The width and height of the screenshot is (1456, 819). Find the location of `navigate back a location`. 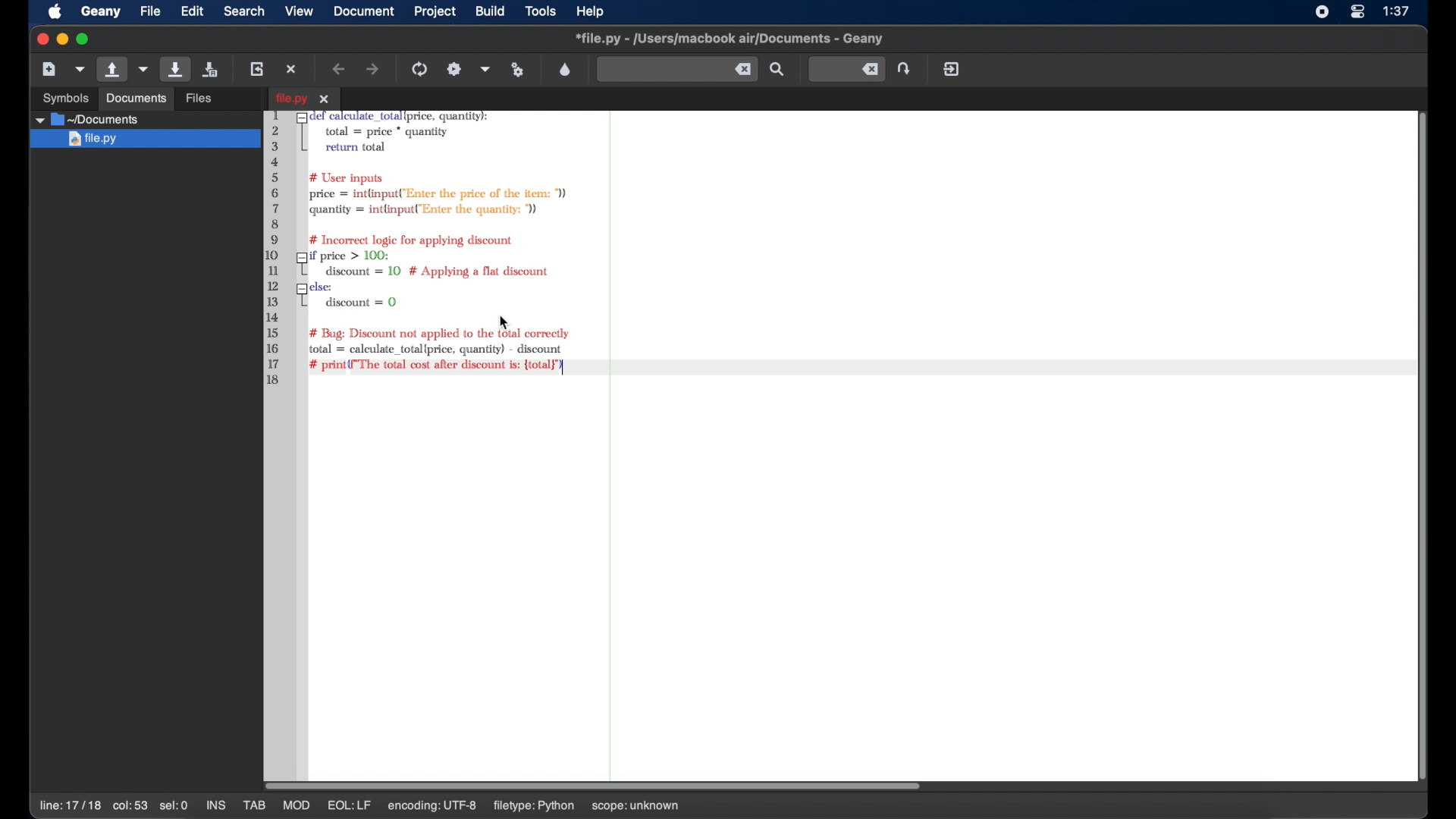

navigate back a location is located at coordinates (340, 69).